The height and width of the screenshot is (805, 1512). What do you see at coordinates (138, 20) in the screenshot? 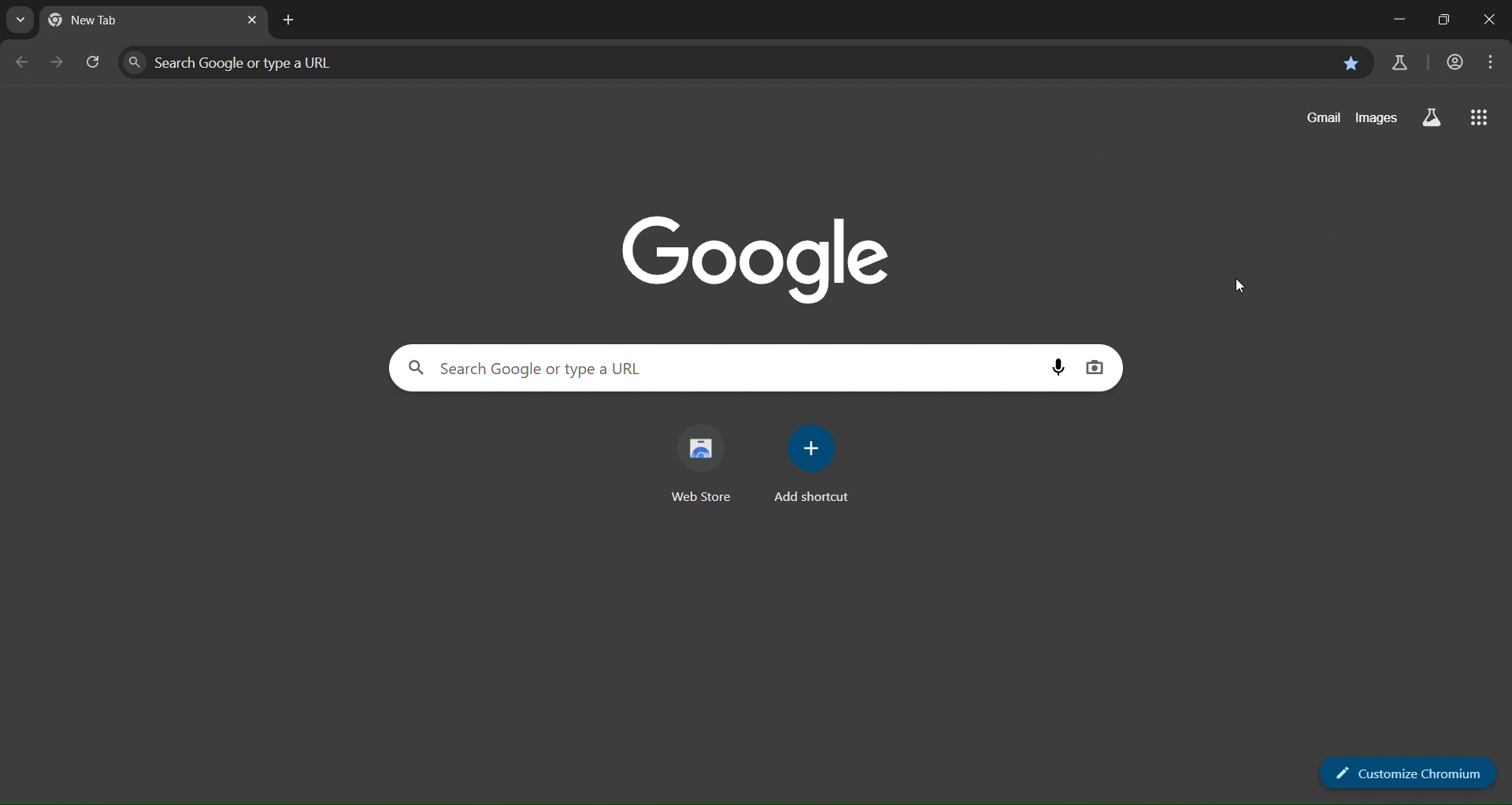
I see `current tab` at bounding box center [138, 20].